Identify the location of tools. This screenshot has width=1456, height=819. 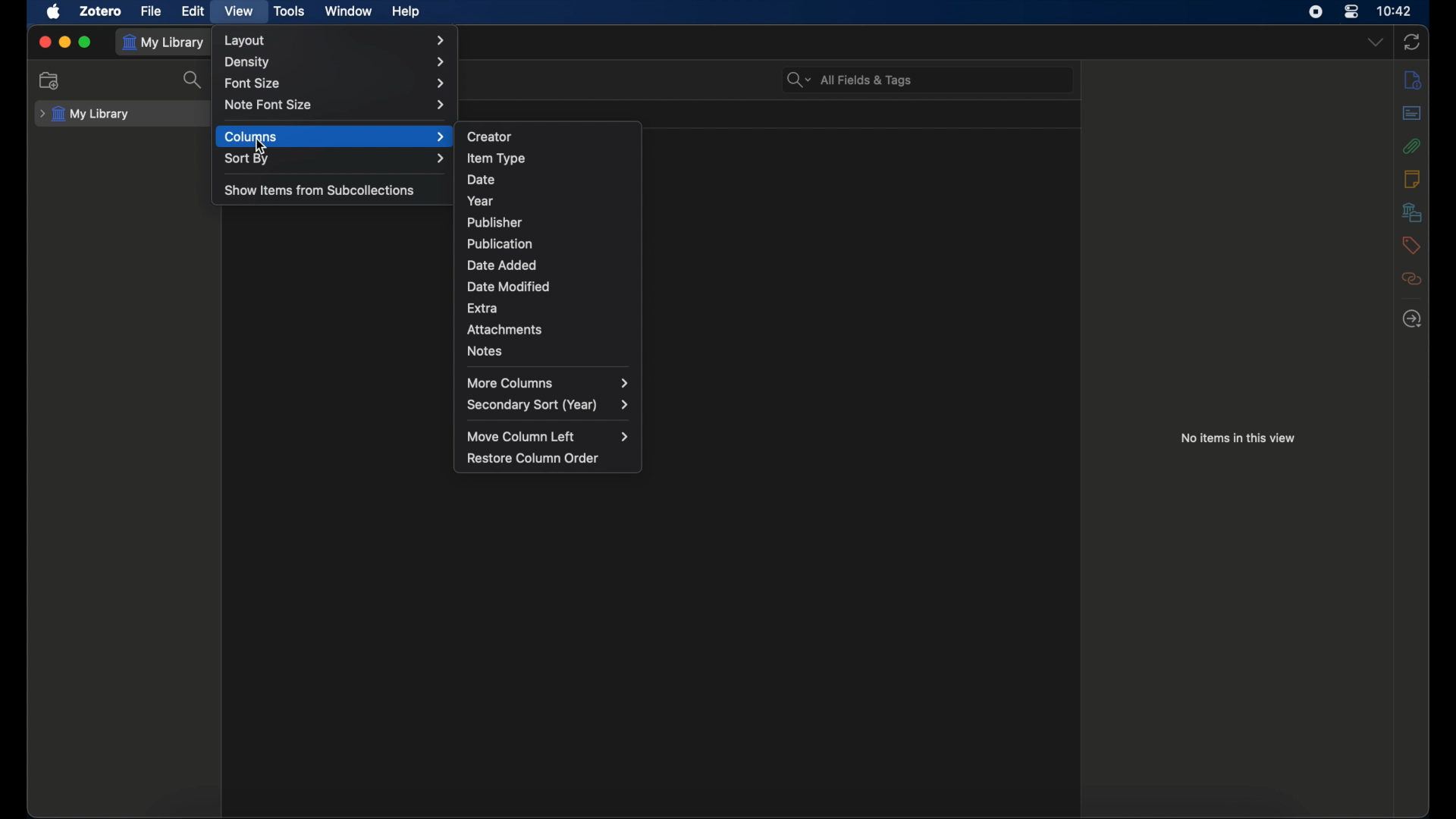
(290, 11).